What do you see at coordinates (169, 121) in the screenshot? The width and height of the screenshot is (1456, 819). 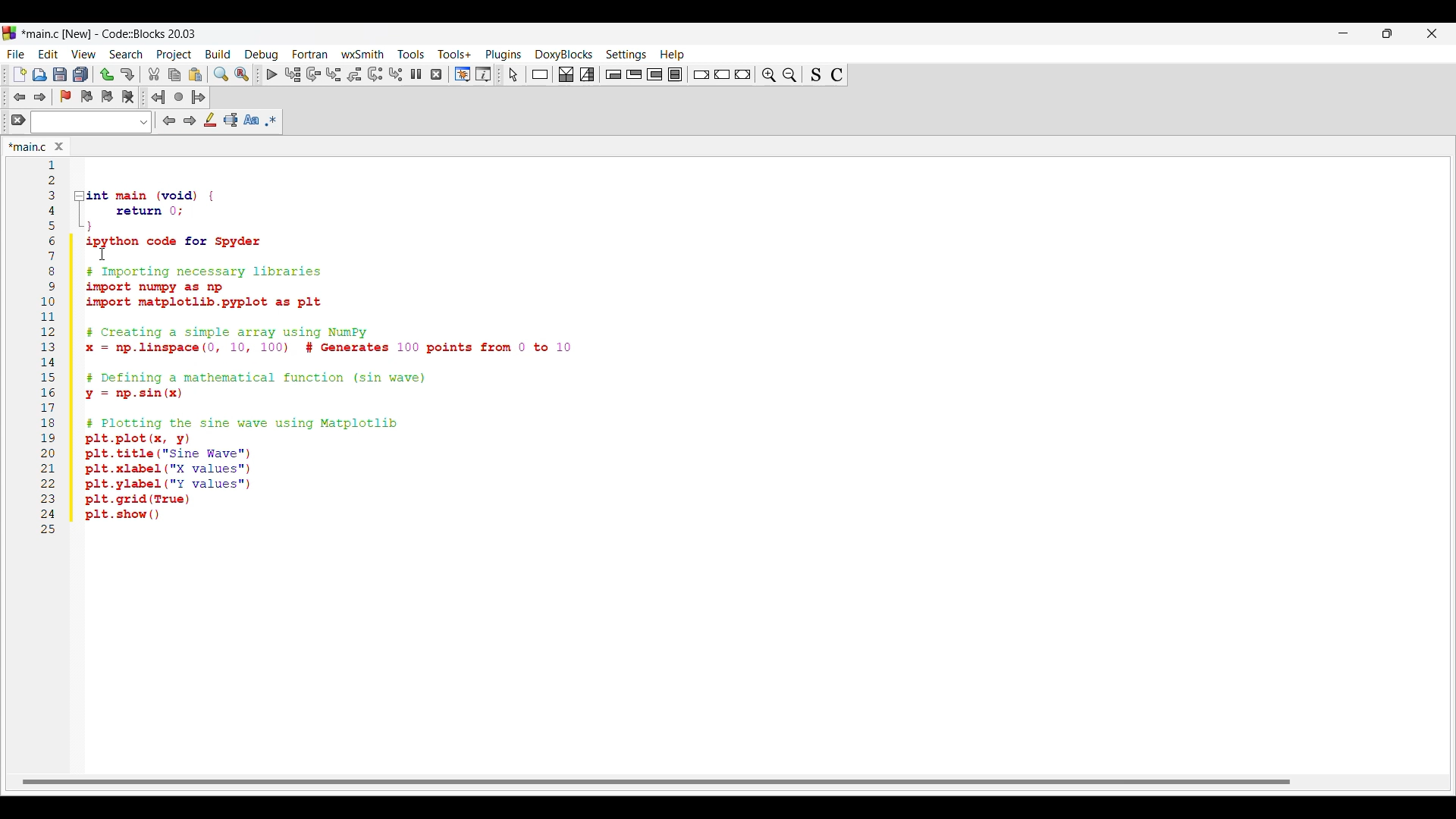 I see `Previous` at bounding box center [169, 121].